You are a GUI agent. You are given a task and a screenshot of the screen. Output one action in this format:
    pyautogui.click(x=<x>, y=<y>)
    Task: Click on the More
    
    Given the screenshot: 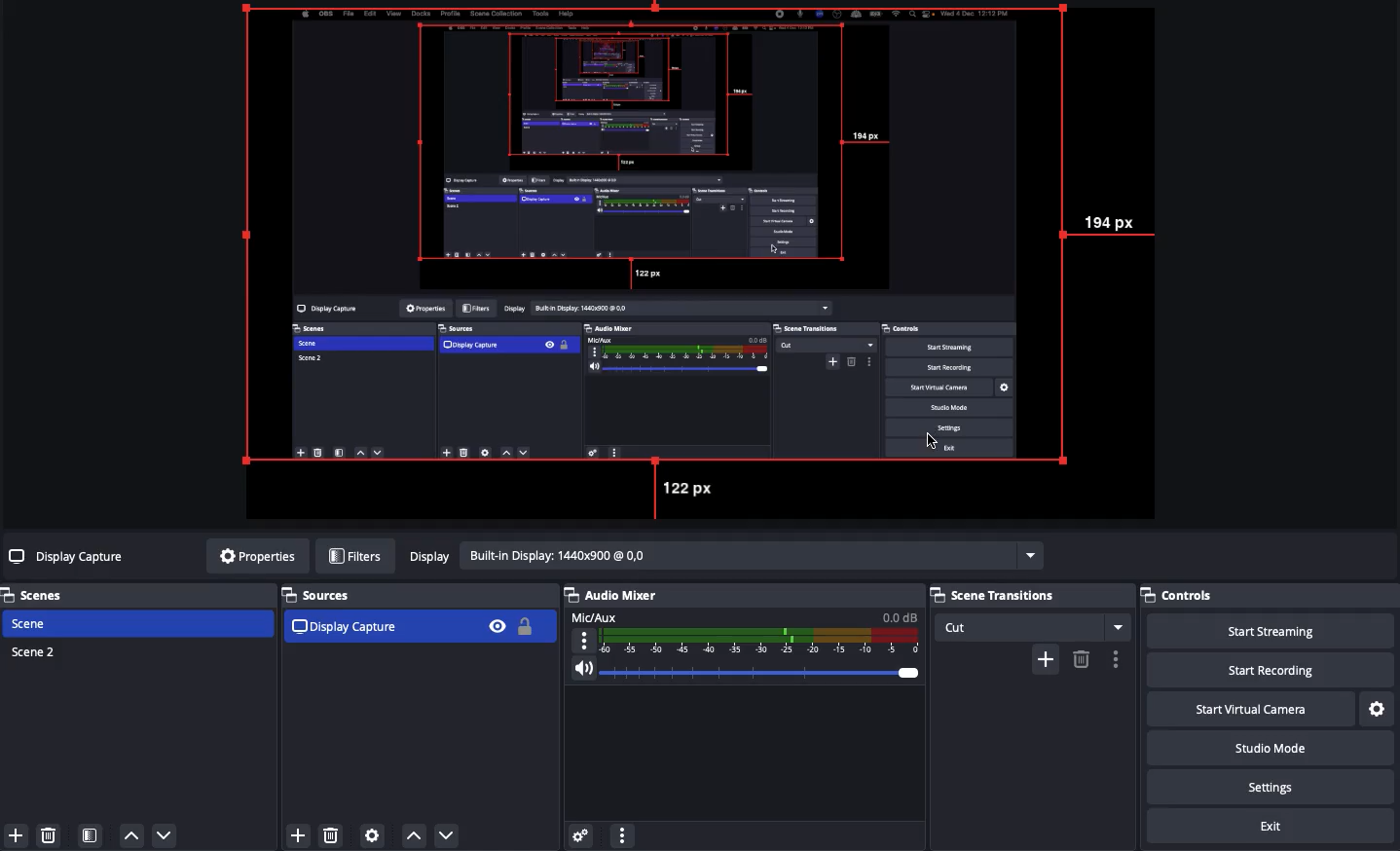 What is the action you would take?
    pyautogui.click(x=621, y=833)
    